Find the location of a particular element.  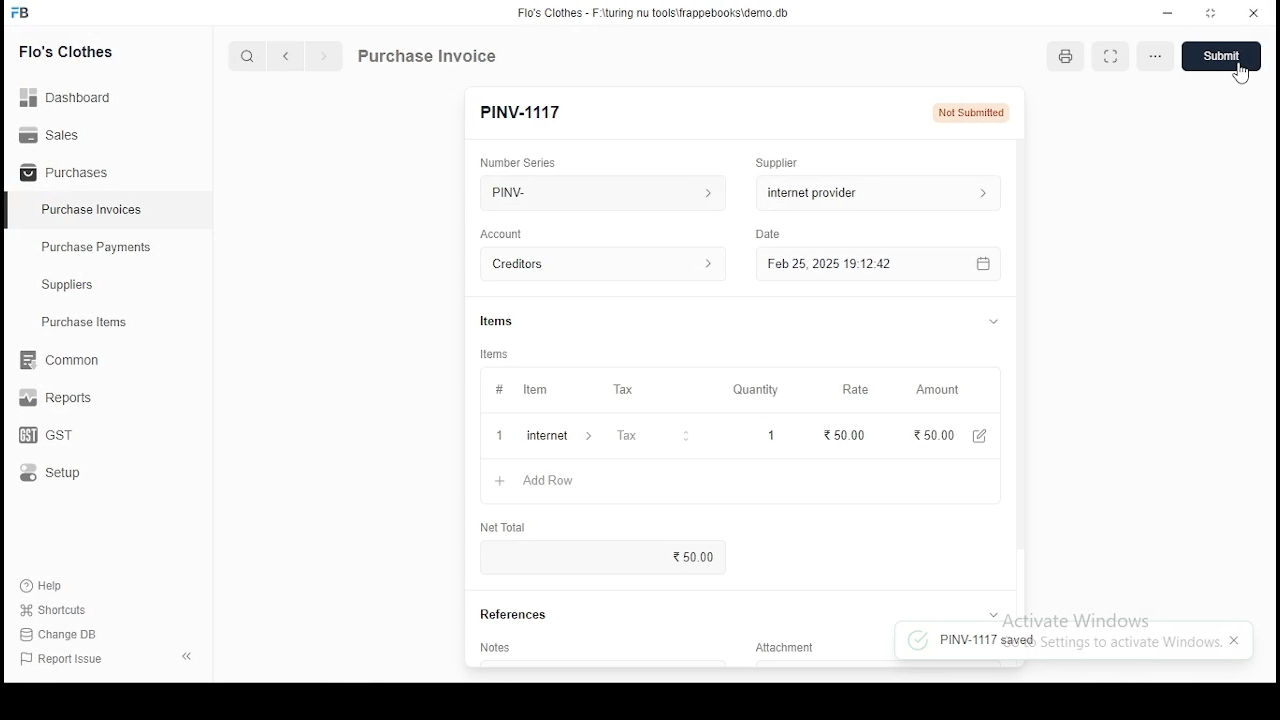

previous is located at coordinates (287, 57).